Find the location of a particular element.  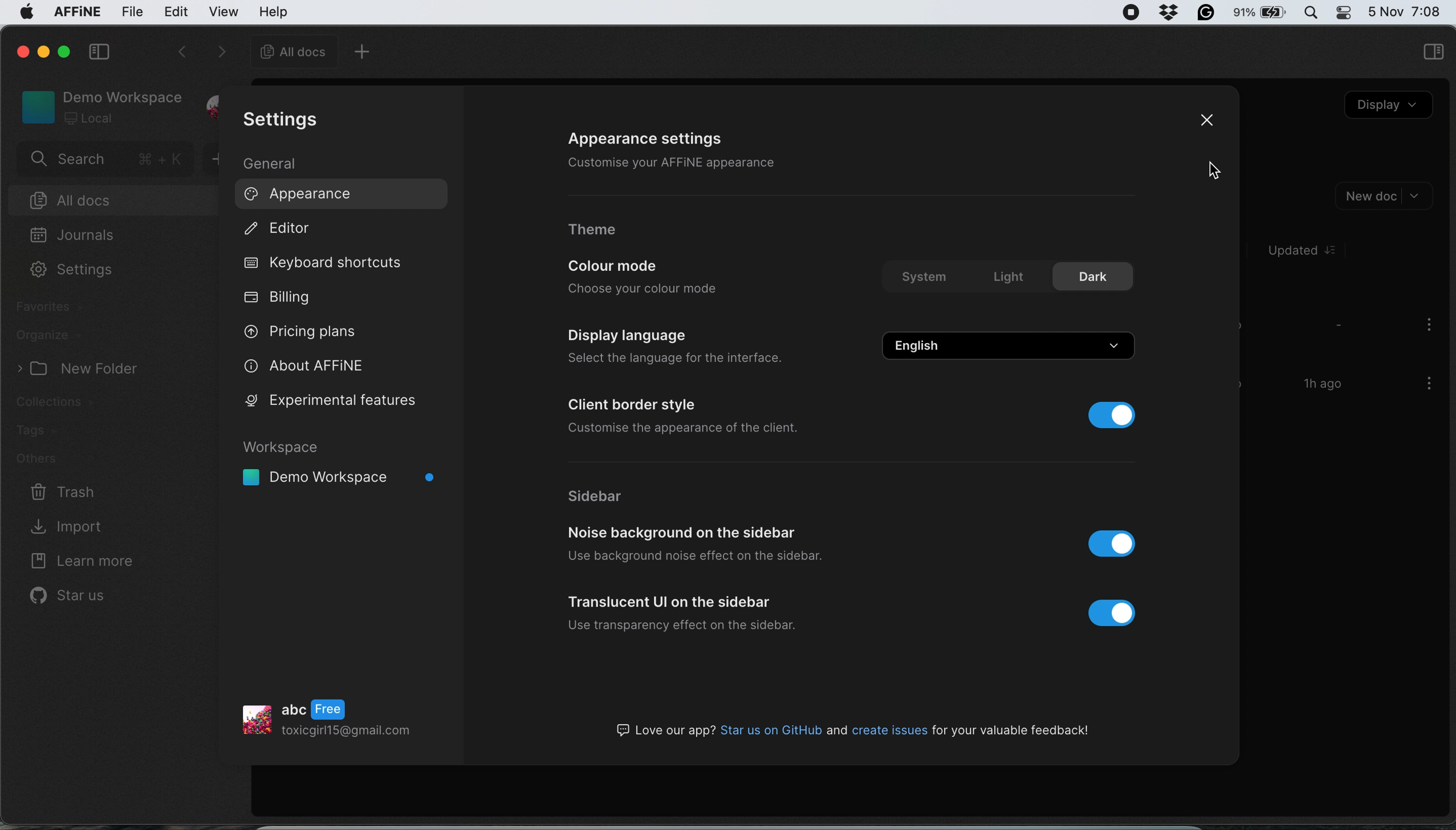

maximise is located at coordinates (59, 52).